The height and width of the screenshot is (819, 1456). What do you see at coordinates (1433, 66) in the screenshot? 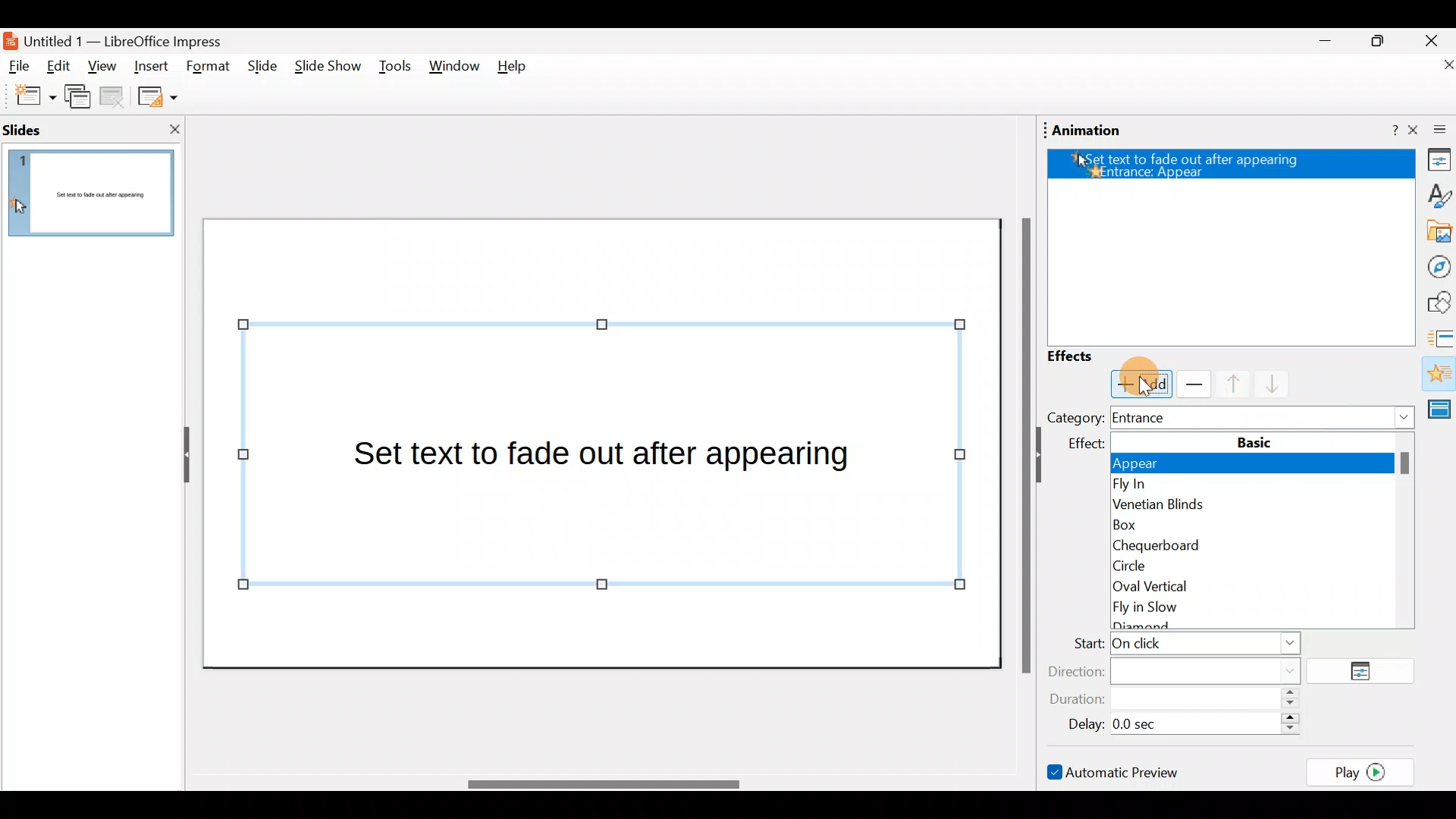
I see `Close document` at bounding box center [1433, 66].